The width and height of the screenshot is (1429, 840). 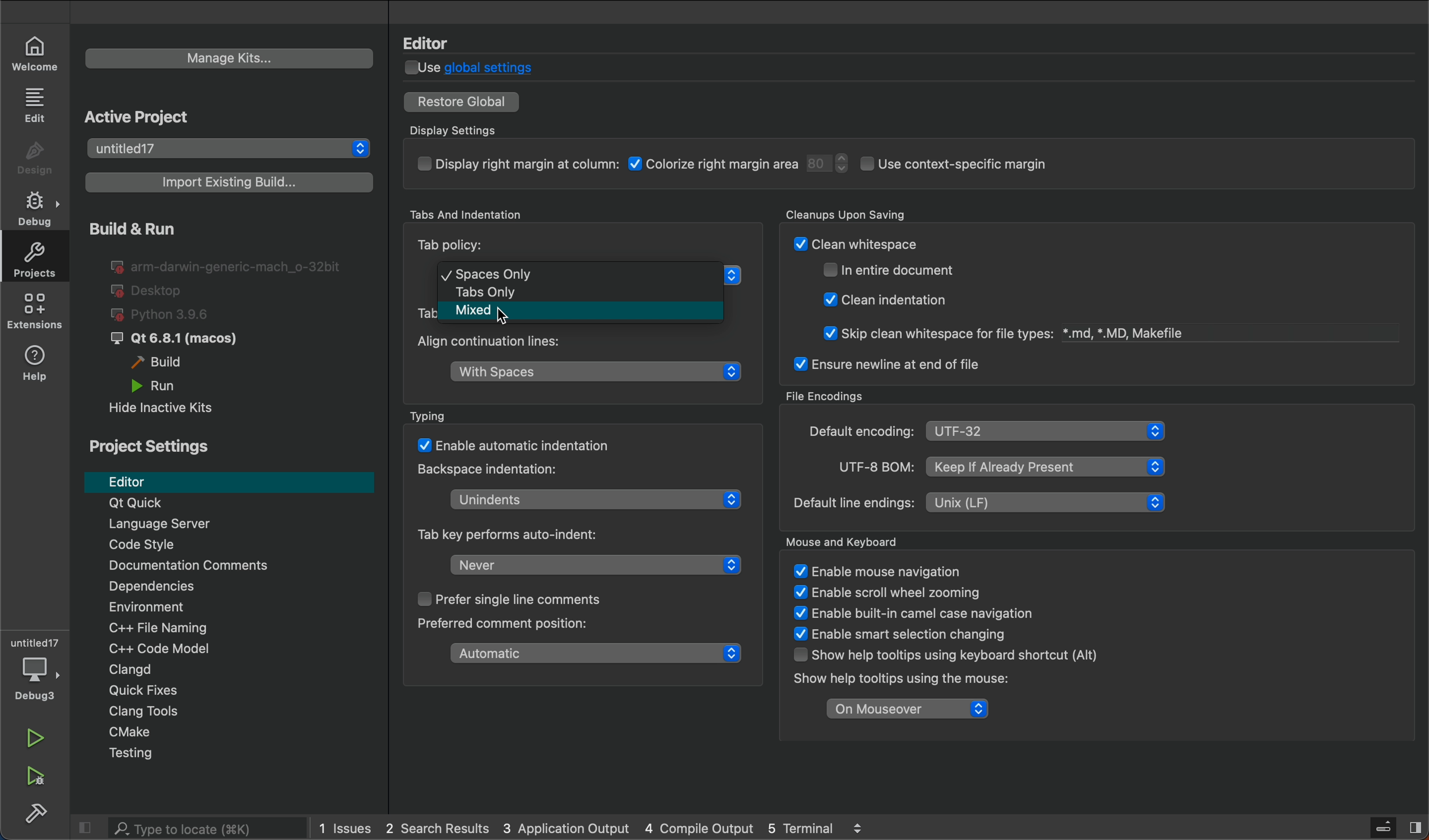 I want to click on editor, so click(x=229, y=481).